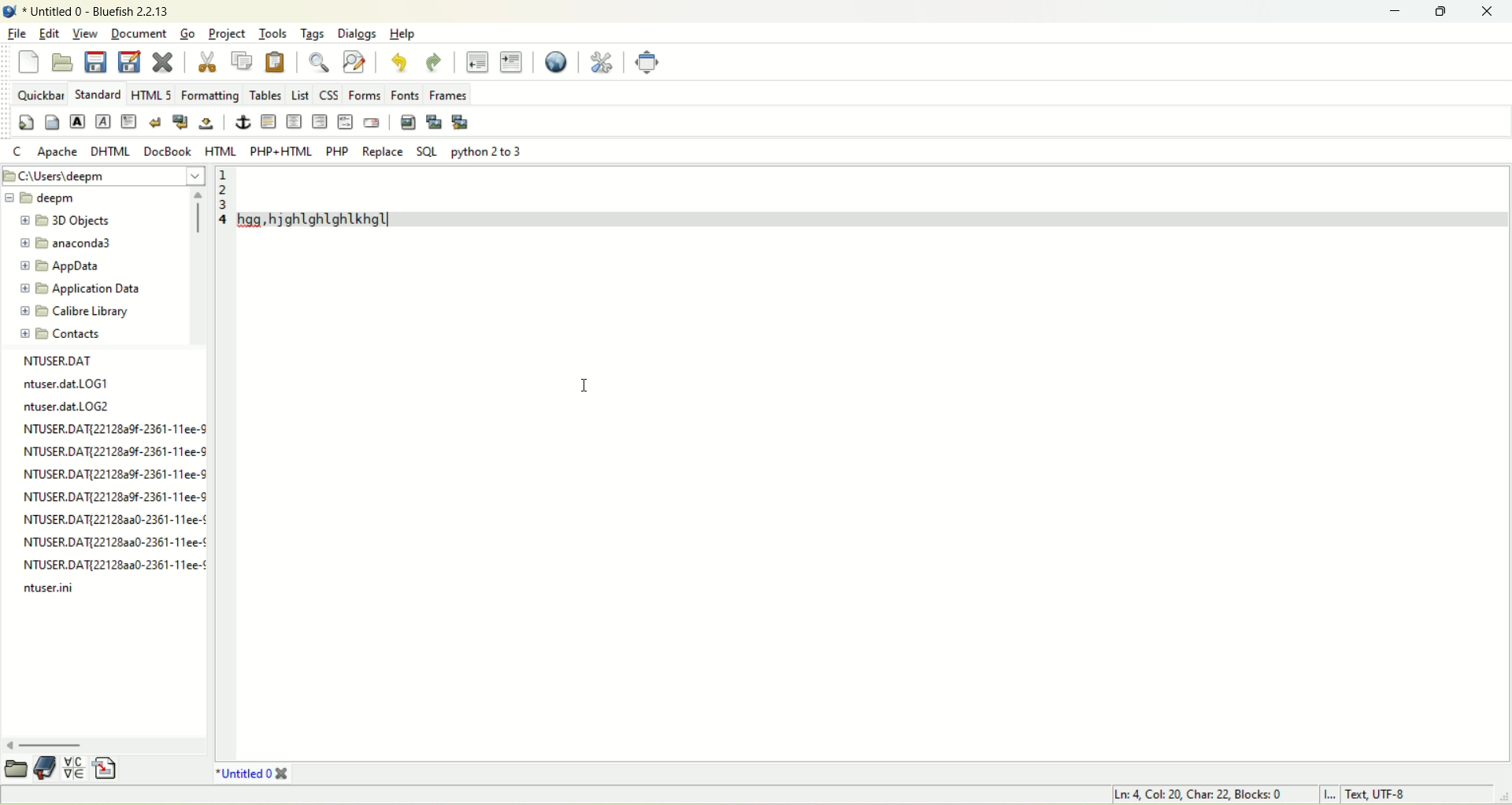 This screenshot has width=1512, height=805. What do you see at coordinates (114, 562) in the screenshot?
I see `NTUSER.DAT{221282a0-2361-11ee-¢` at bounding box center [114, 562].